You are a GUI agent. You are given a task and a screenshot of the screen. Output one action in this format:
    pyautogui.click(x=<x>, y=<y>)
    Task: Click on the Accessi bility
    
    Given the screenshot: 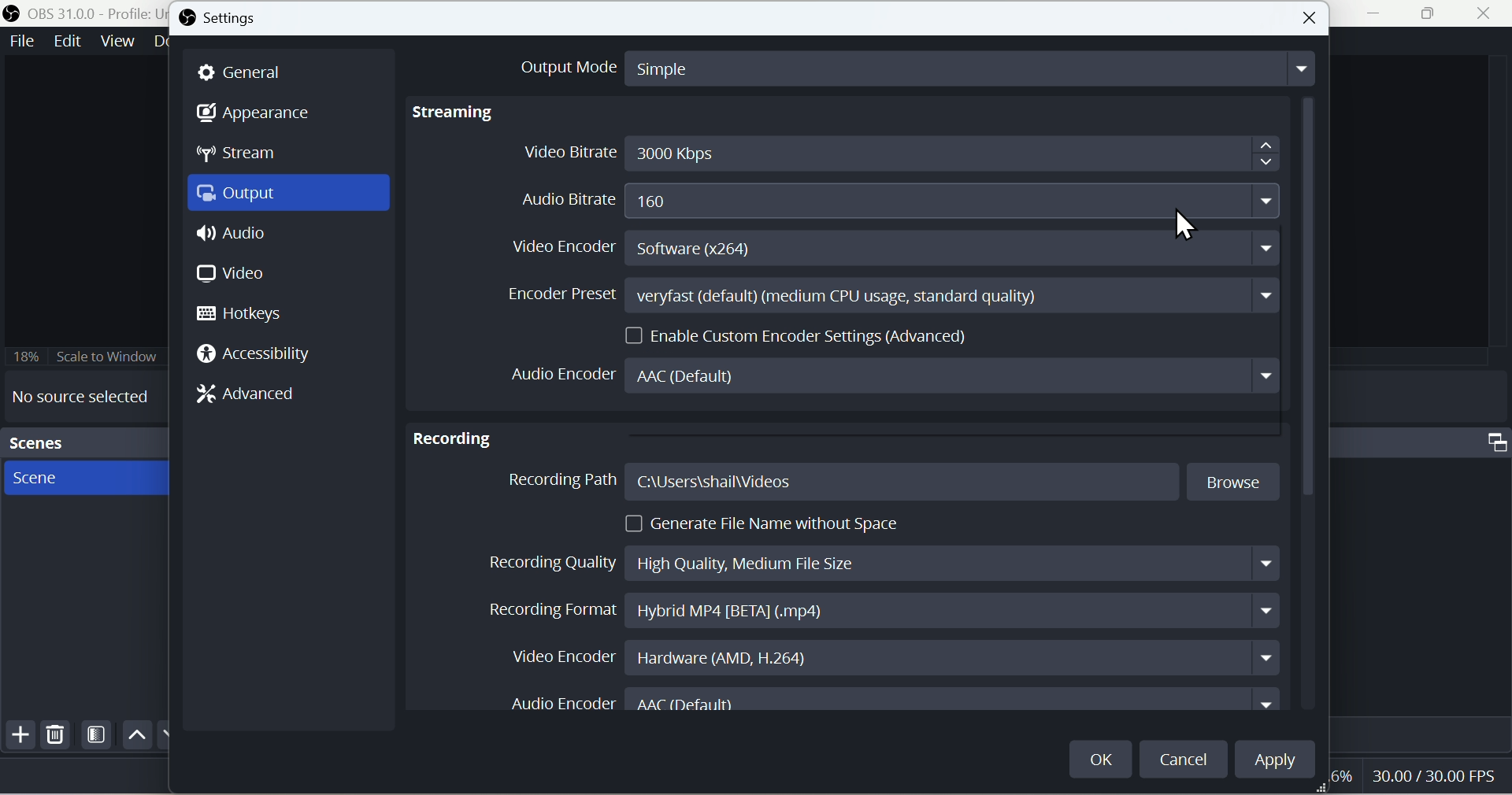 What is the action you would take?
    pyautogui.click(x=263, y=357)
    